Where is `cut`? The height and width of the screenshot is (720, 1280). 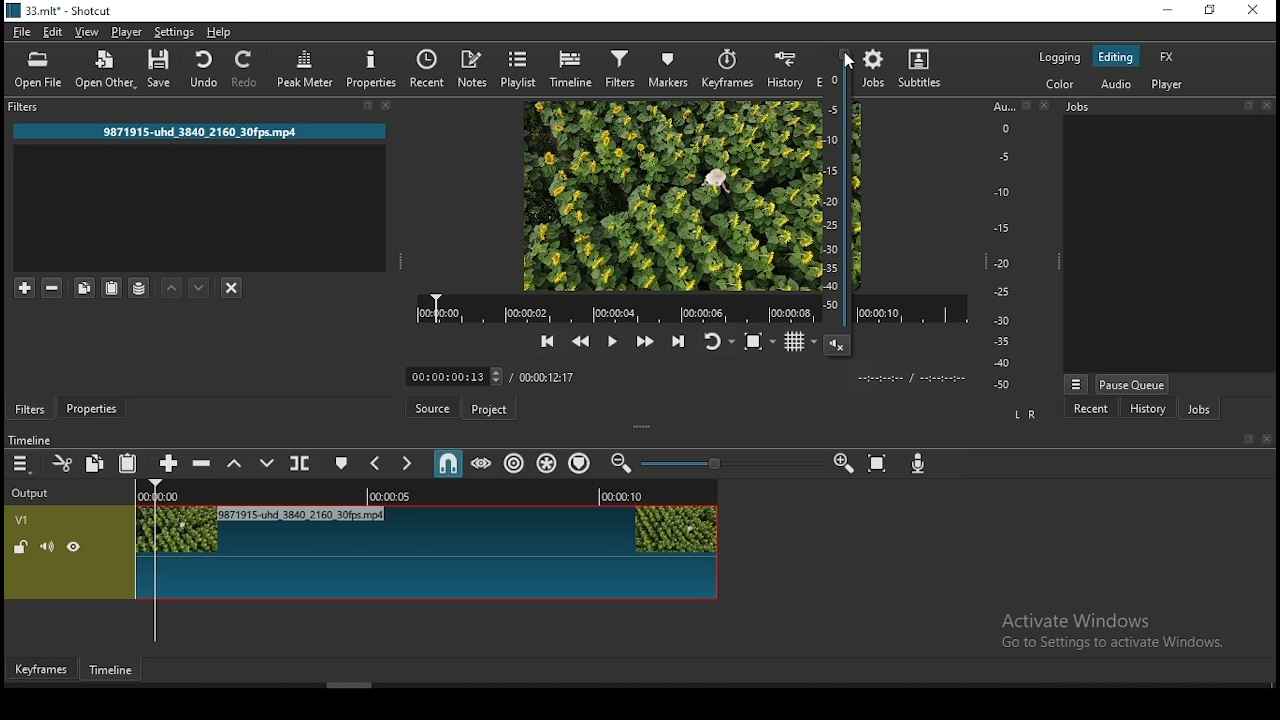
cut is located at coordinates (64, 465).